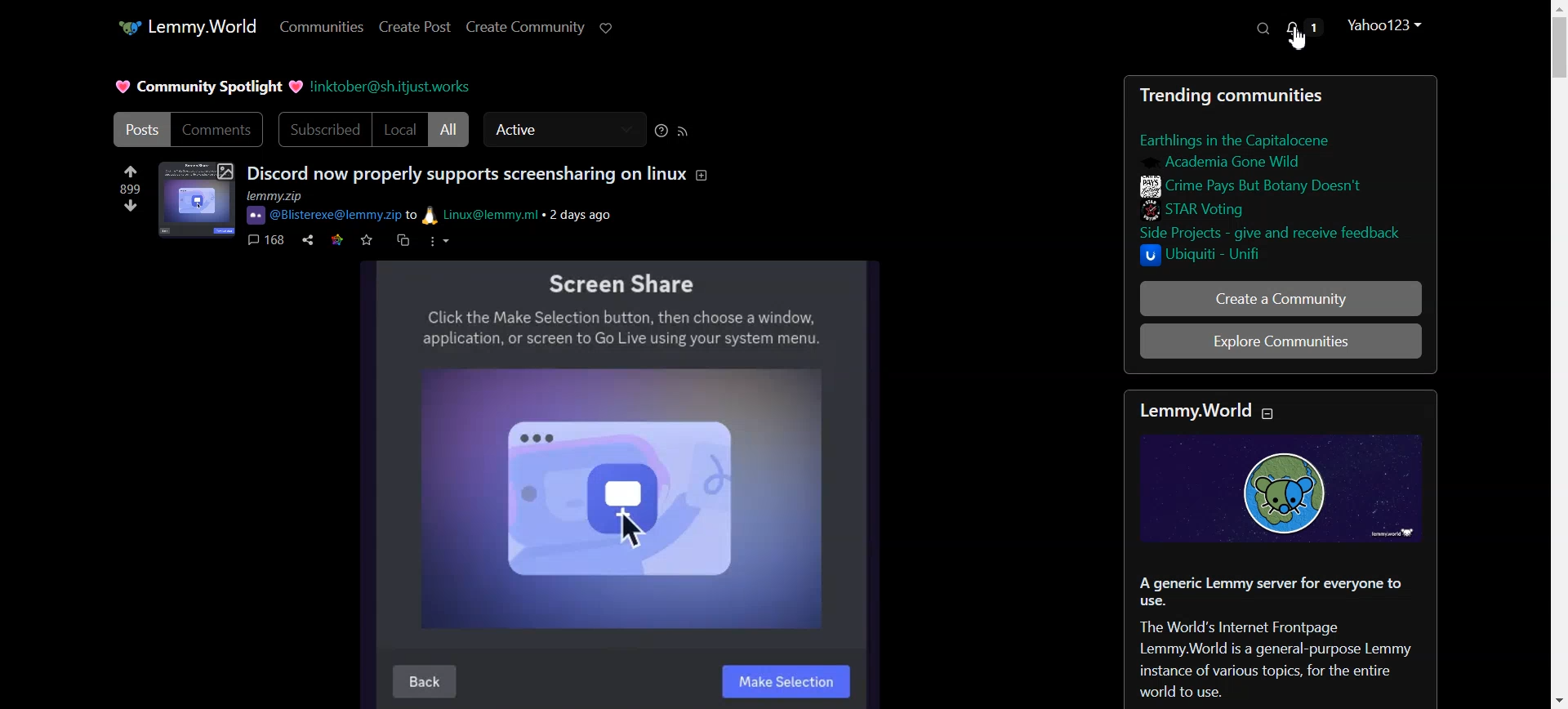 This screenshot has width=1568, height=709. What do you see at coordinates (1277, 546) in the screenshot?
I see `Post` at bounding box center [1277, 546].